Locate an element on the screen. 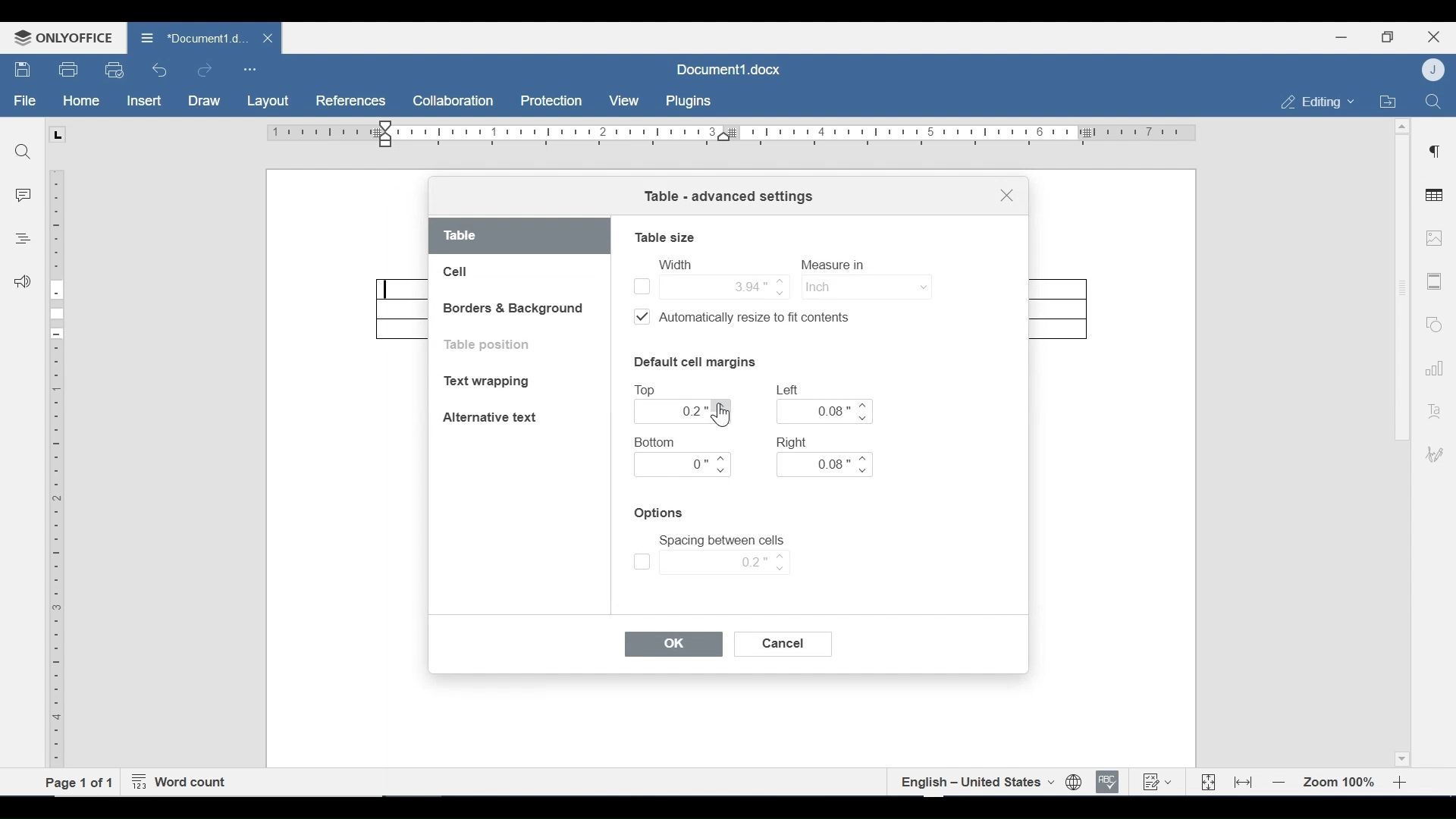 This screenshot has width=1456, height=819. Home is located at coordinates (81, 101).